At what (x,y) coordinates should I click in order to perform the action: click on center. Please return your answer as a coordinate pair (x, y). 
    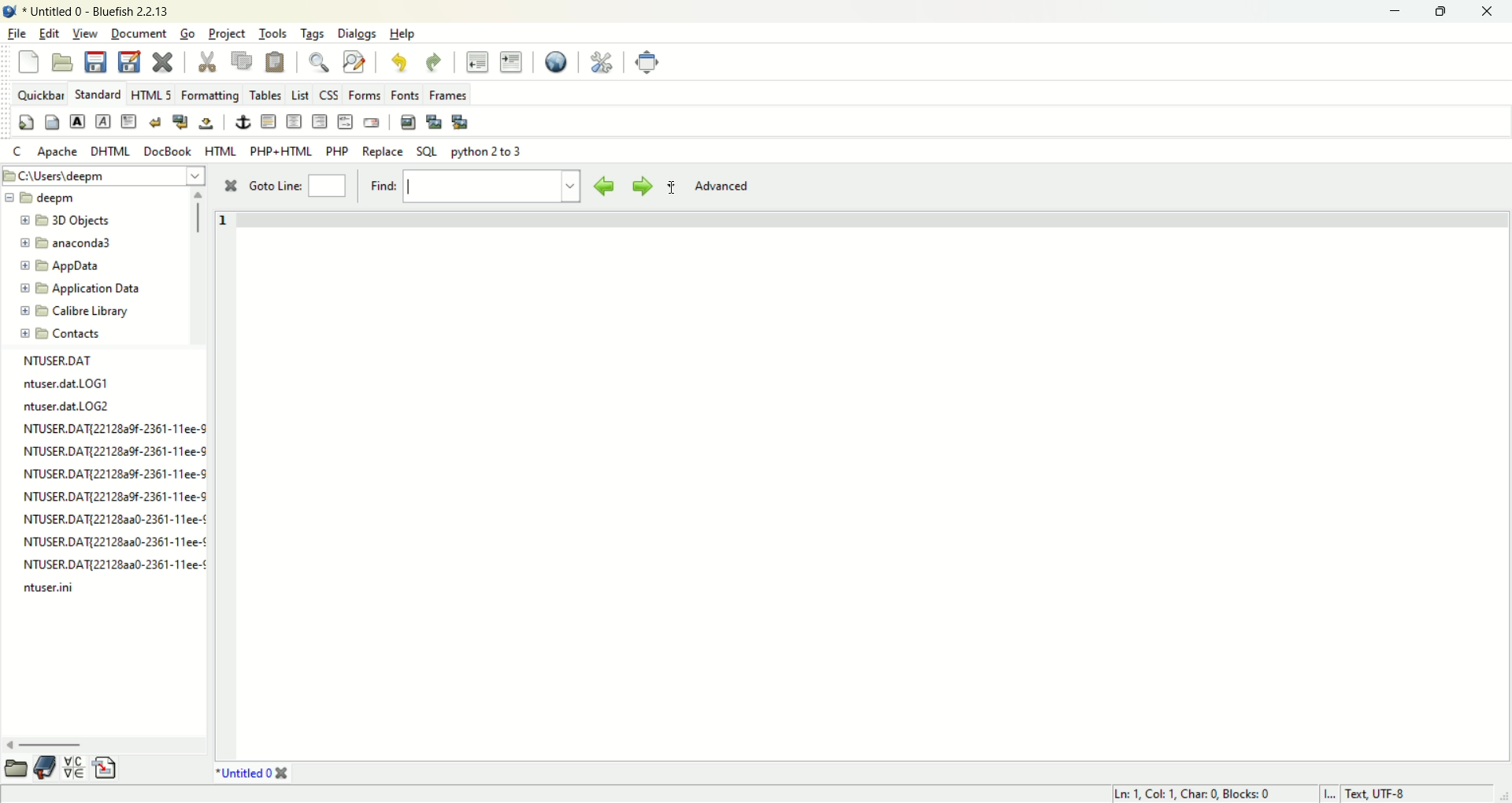
    Looking at the image, I should click on (295, 122).